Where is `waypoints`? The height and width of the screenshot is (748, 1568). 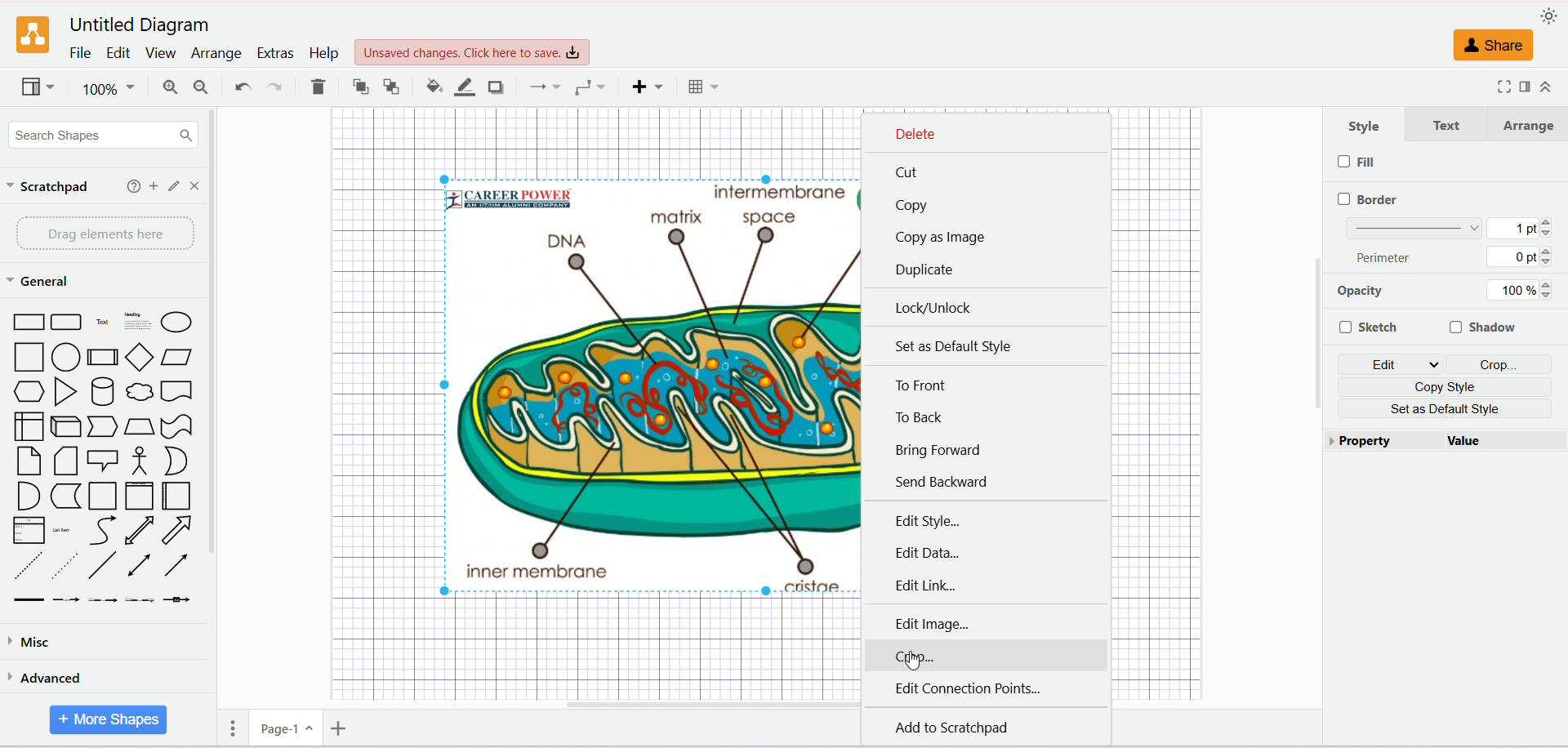
waypoints is located at coordinates (589, 88).